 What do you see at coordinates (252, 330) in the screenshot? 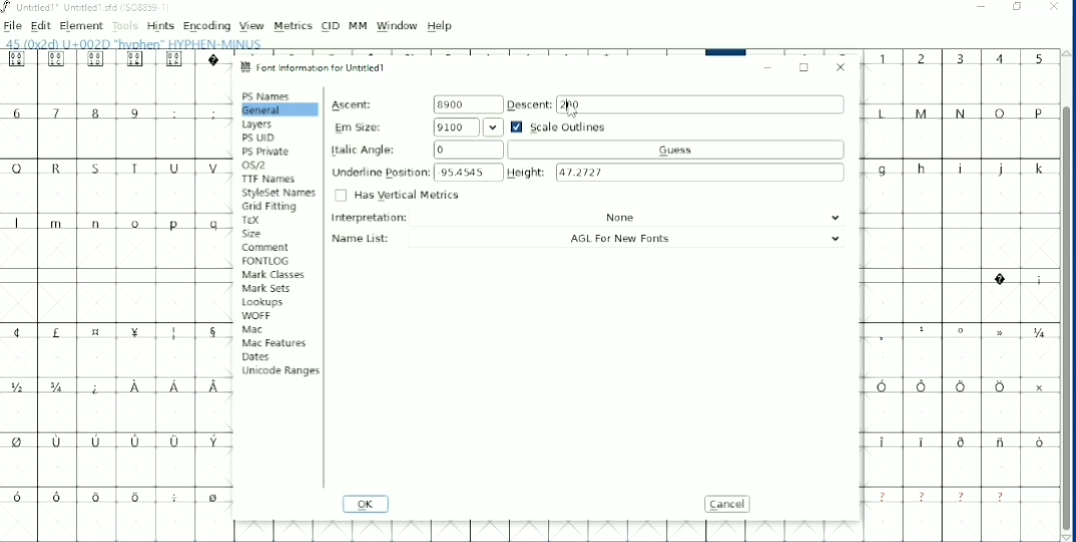
I see `Mac` at bounding box center [252, 330].